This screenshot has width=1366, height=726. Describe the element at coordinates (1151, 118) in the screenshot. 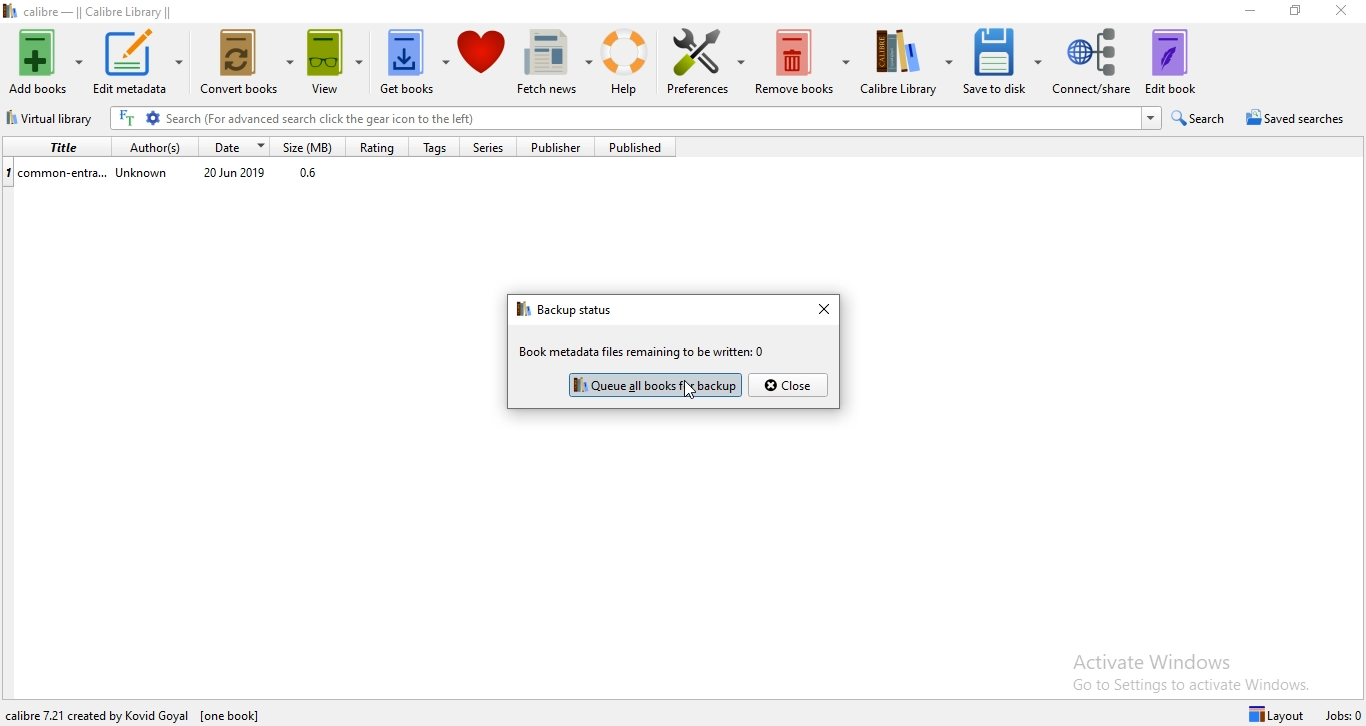

I see `search history` at that location.